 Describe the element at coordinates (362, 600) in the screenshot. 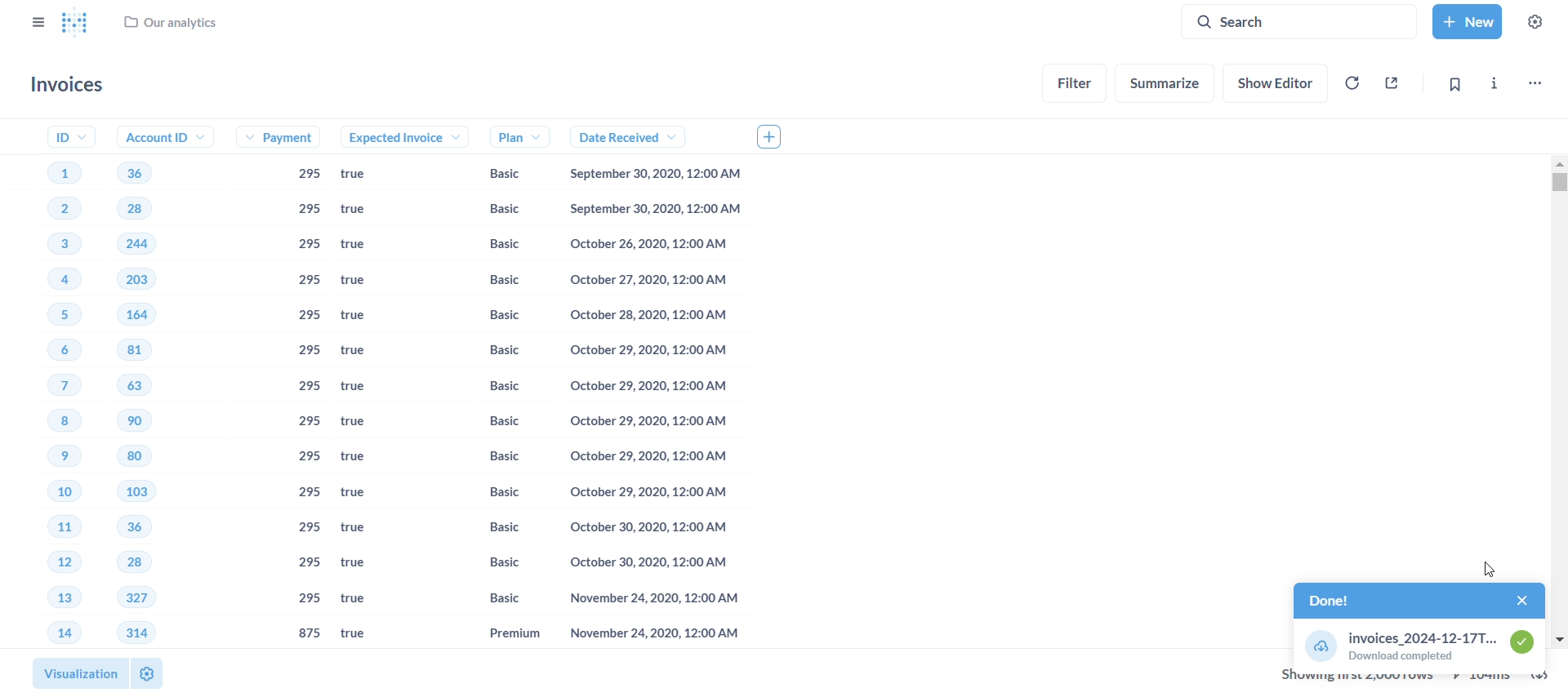

I see `true` at that location.